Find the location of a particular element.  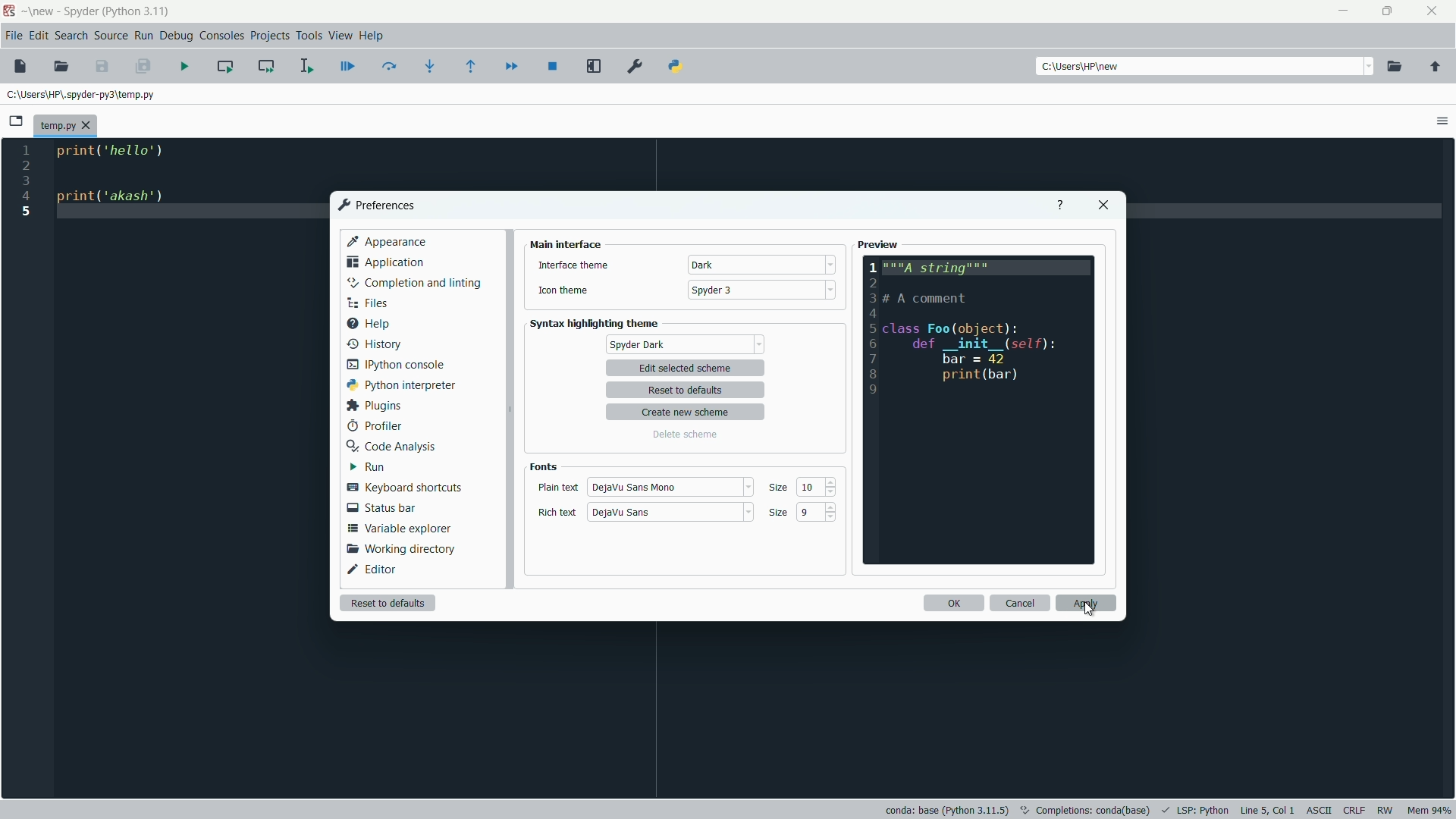

new file is located at coordinates (20, 66).